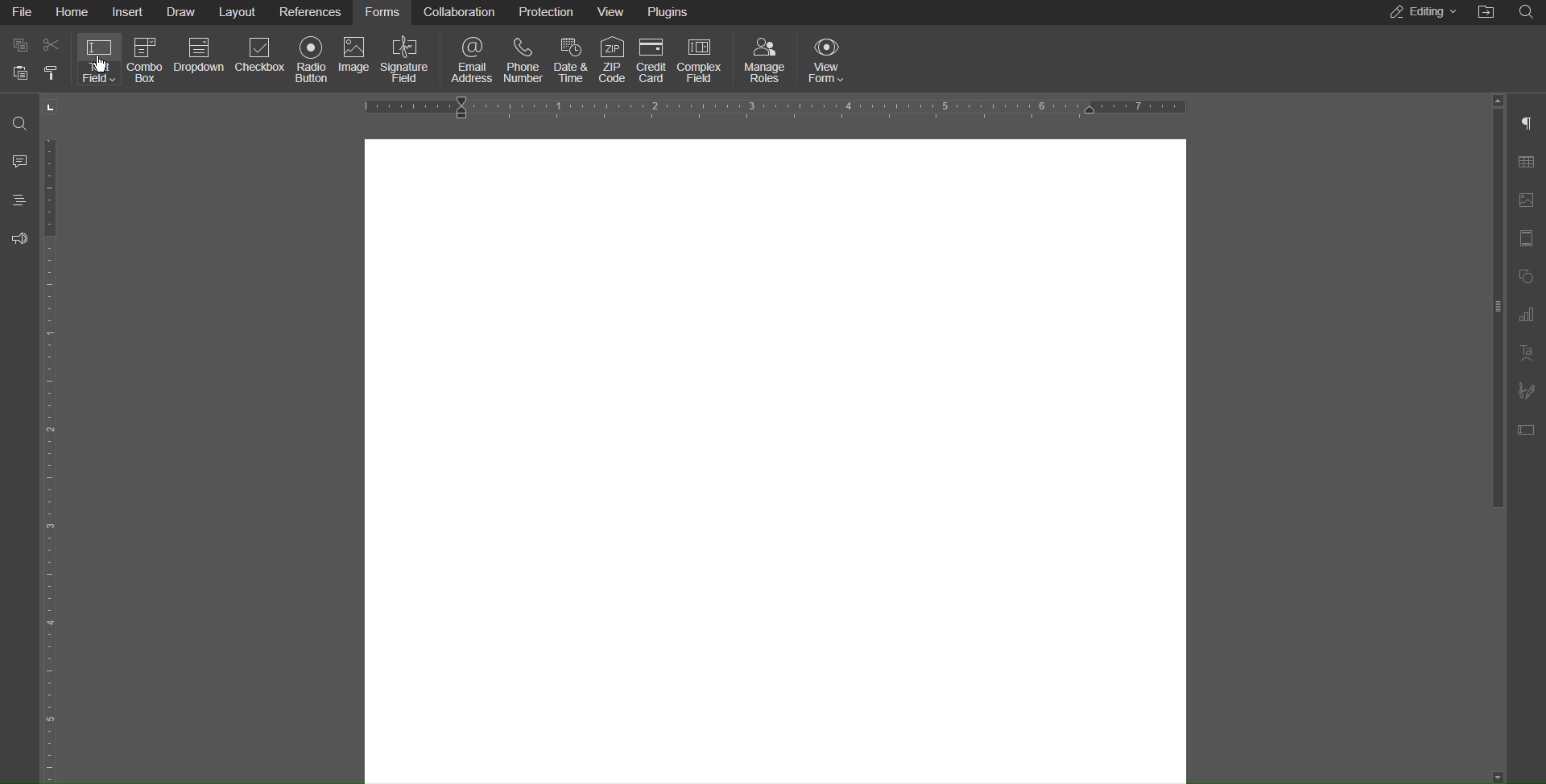  What do you see at coordinates (19, 45) in the screenshot?
I see `copy` at bounding box center [19, 45].